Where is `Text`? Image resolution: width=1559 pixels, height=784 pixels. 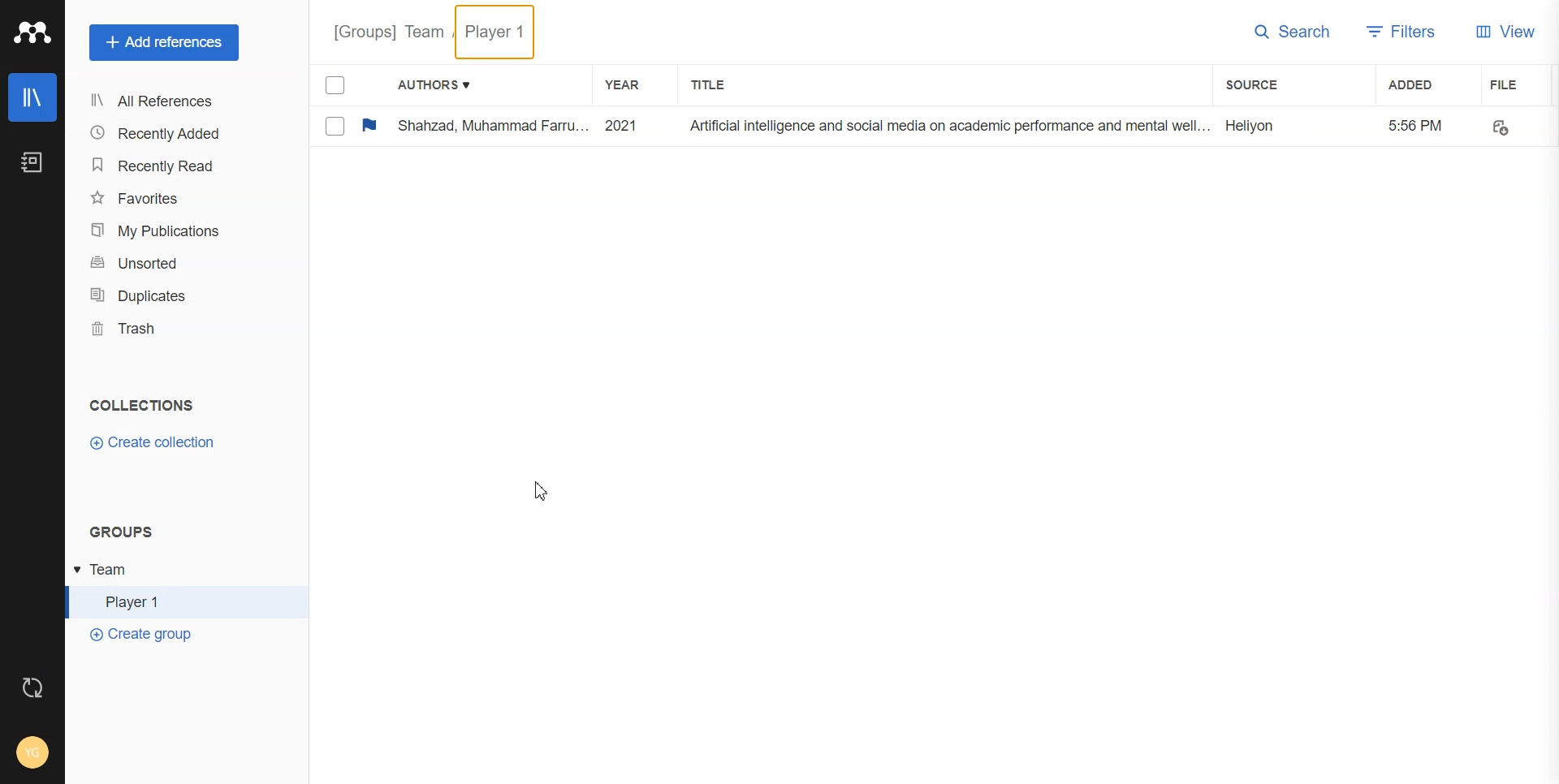
Text is located at coordinates (142, 405).